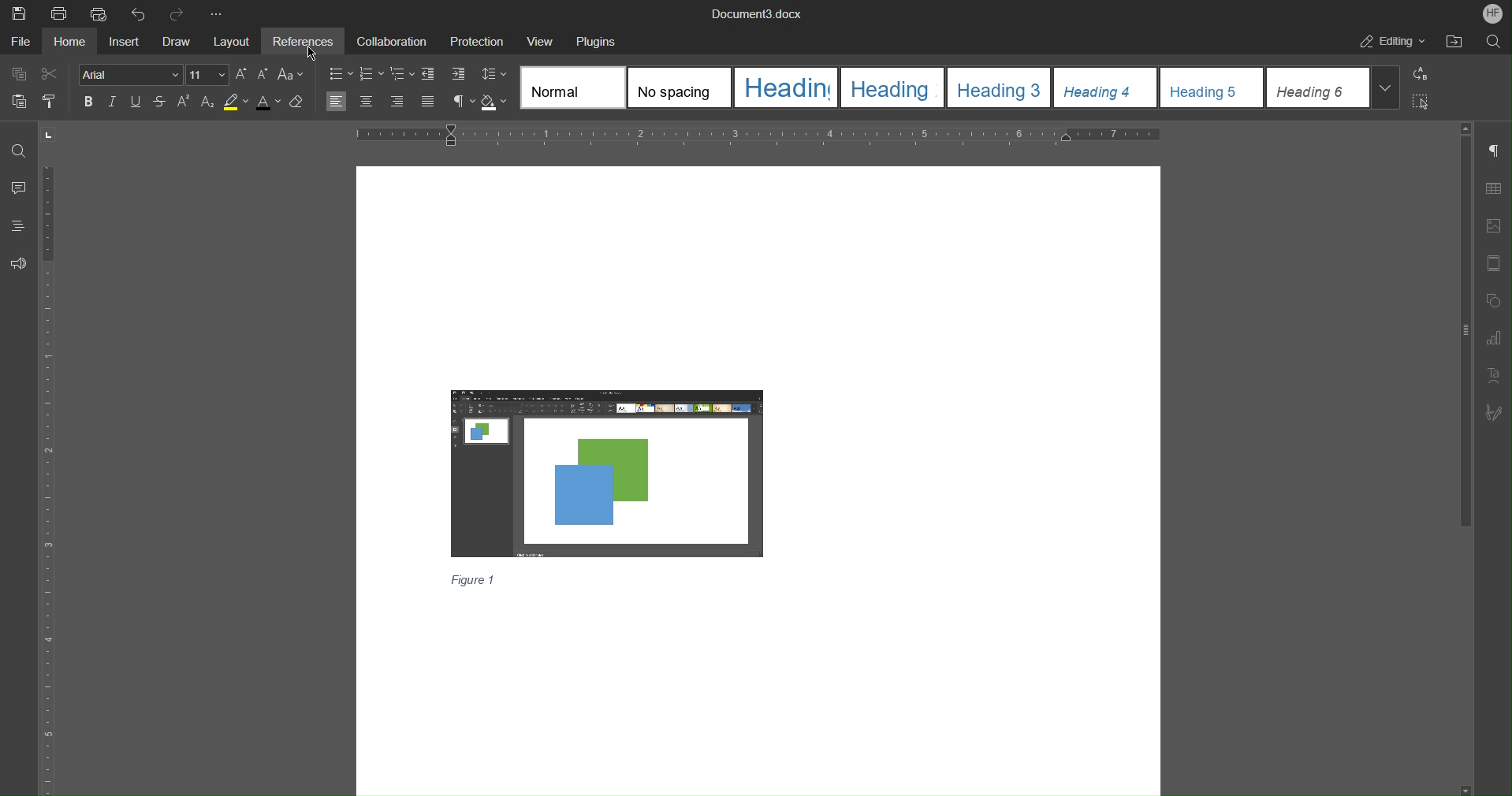 The height and width of the screenshot is (796, 1512). What do you see at coordinates (207, 101) in the screenshot?
I see `Subscript` at bounding box center [207, 101].